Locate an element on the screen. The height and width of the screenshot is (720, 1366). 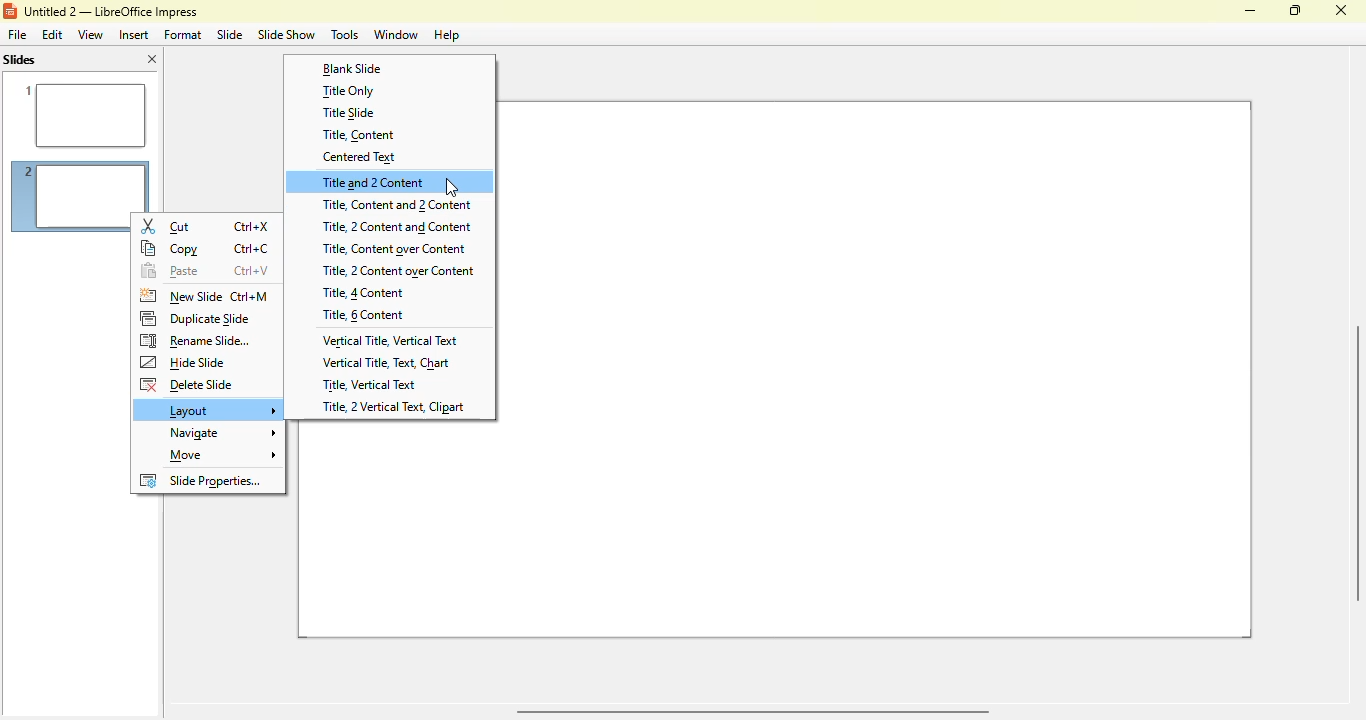
verical scroll bar is located at coordinates (1353, 463).